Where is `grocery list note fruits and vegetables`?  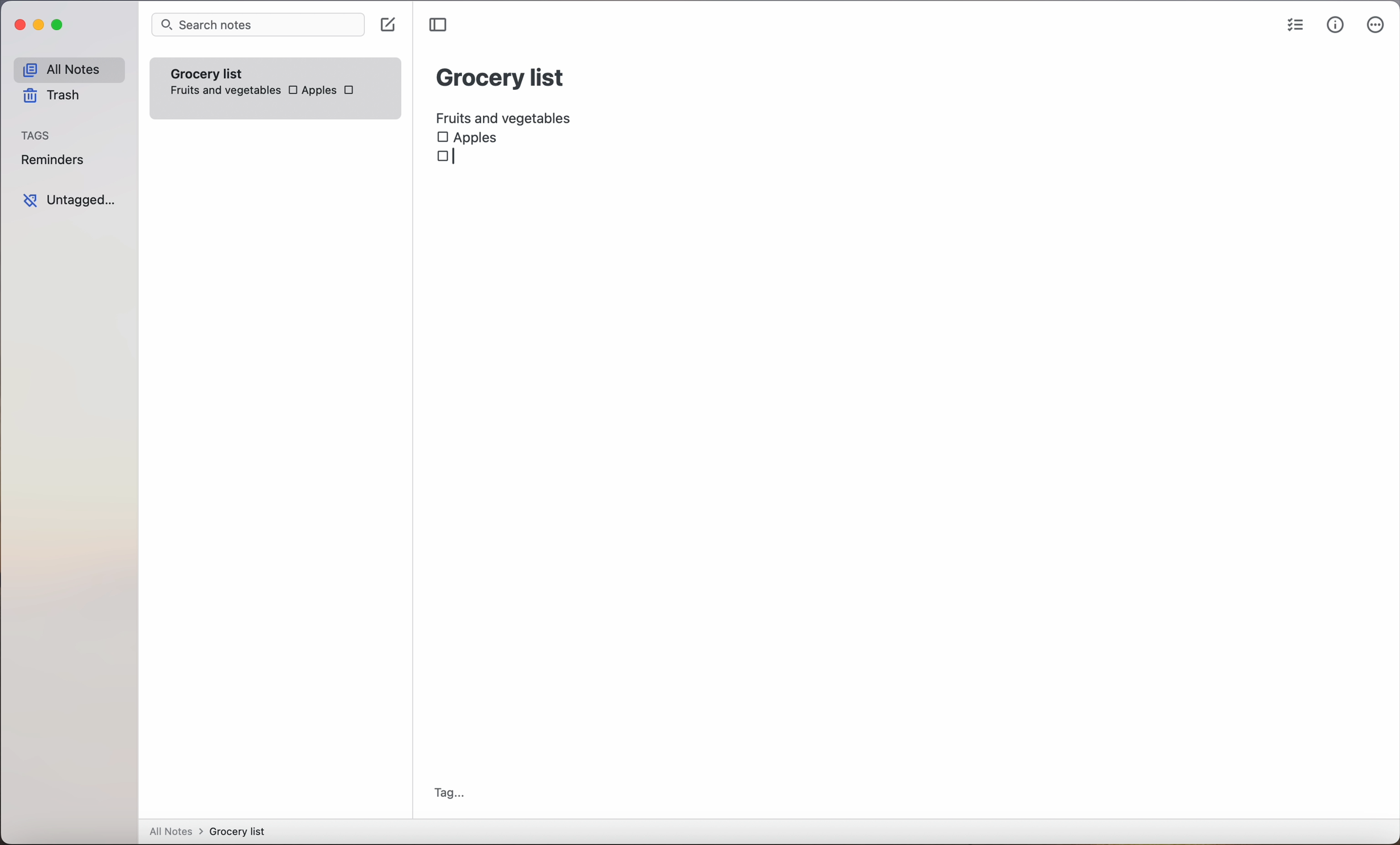 grocery list note fruits and vegetables is located at coordinates (222, 79).